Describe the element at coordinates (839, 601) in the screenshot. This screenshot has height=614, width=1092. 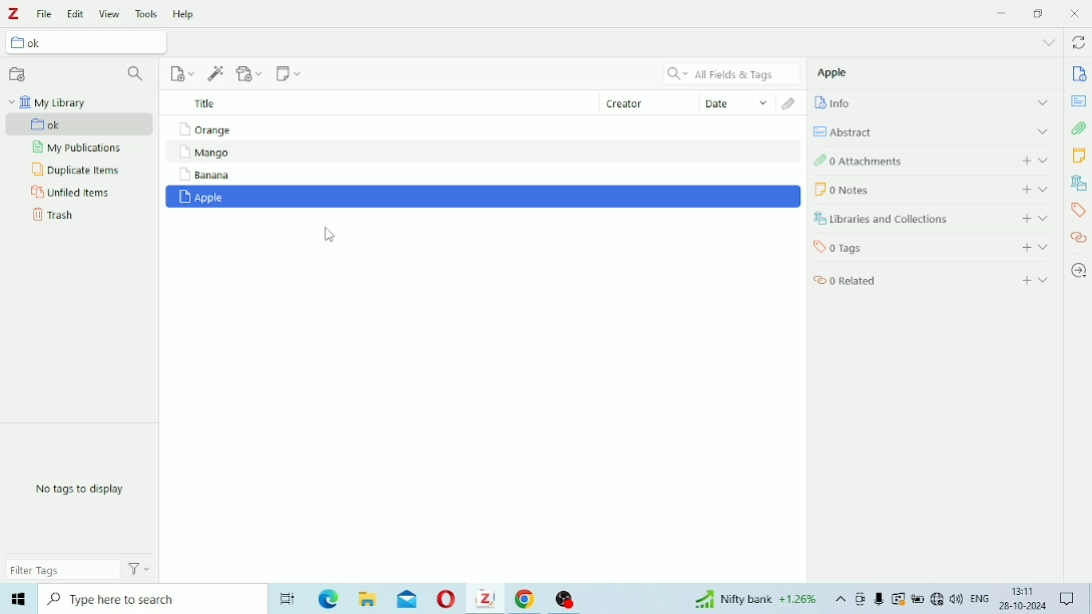
I see `Show hidden icons` at that location.